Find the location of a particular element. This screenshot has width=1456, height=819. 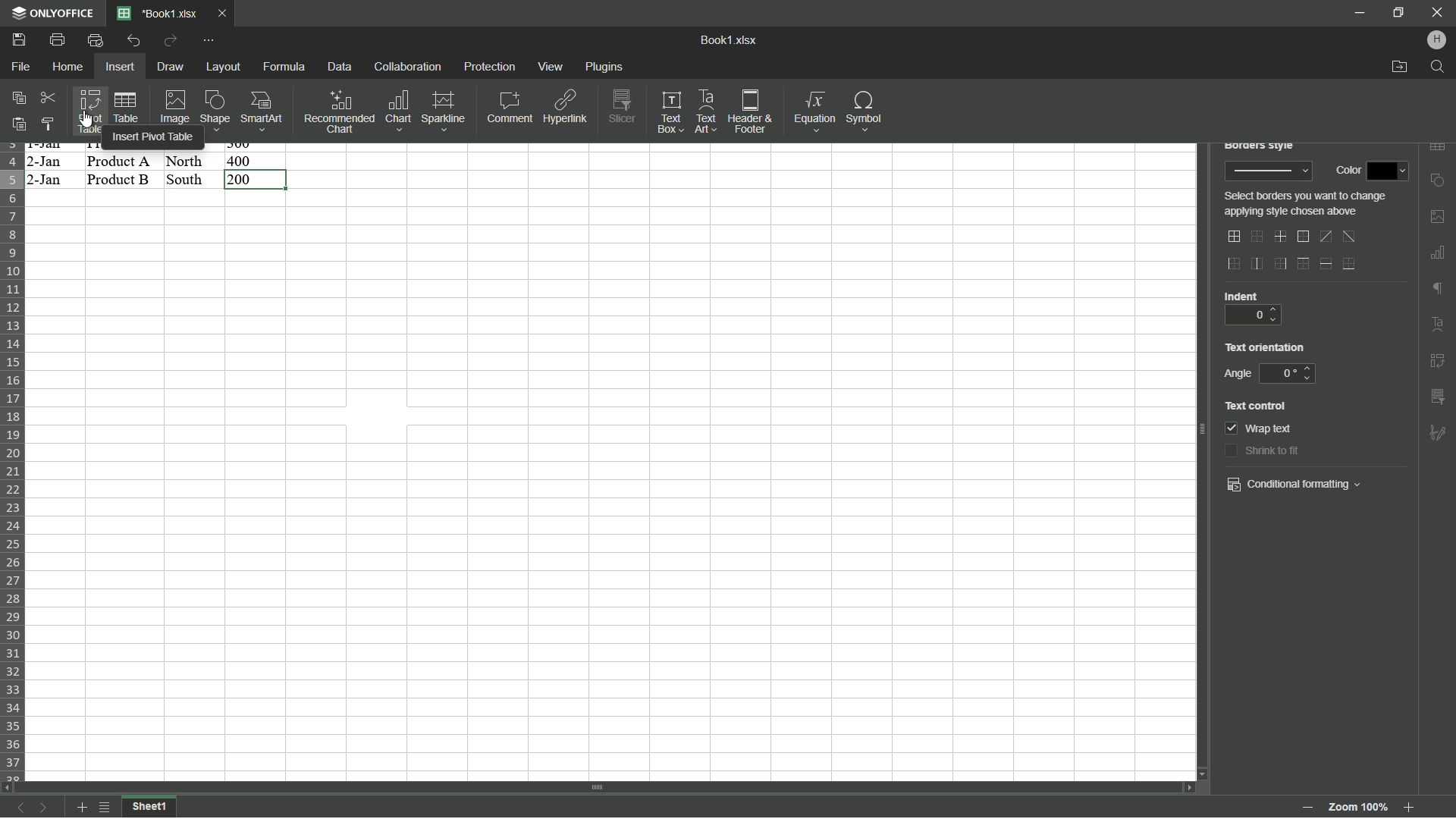

text control is located at coordinates (1257, 406).